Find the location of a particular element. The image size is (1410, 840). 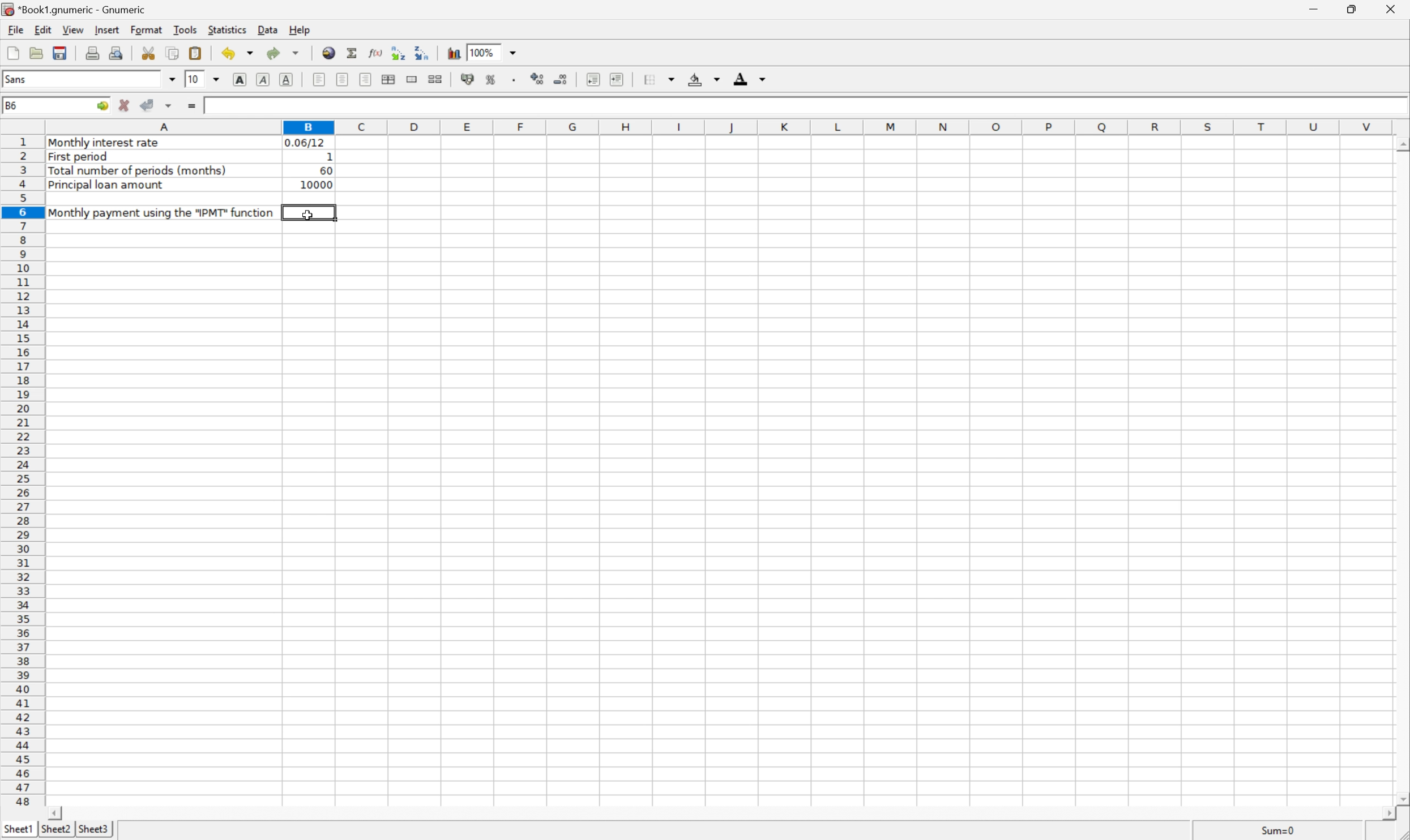

Total number of periods (months) is located at coordinates (140, 170).